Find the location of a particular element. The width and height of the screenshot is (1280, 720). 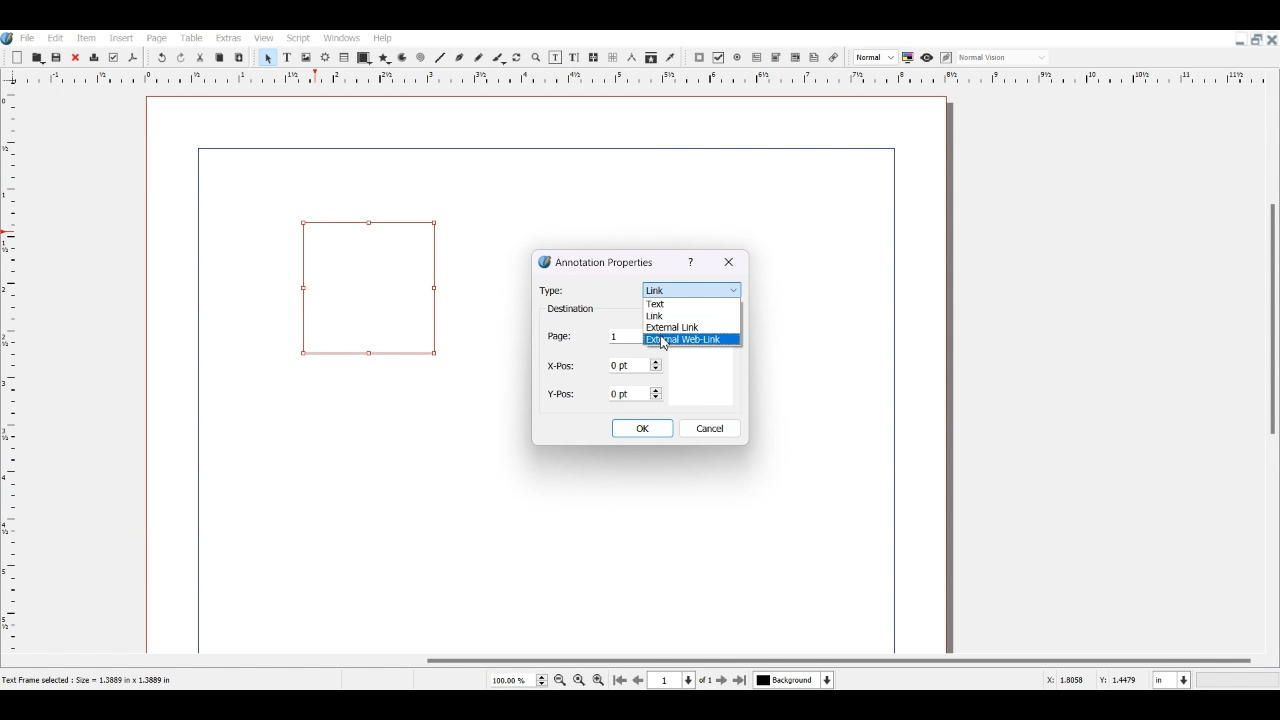

Edit in preview mode is located at coordinates (946, 58).